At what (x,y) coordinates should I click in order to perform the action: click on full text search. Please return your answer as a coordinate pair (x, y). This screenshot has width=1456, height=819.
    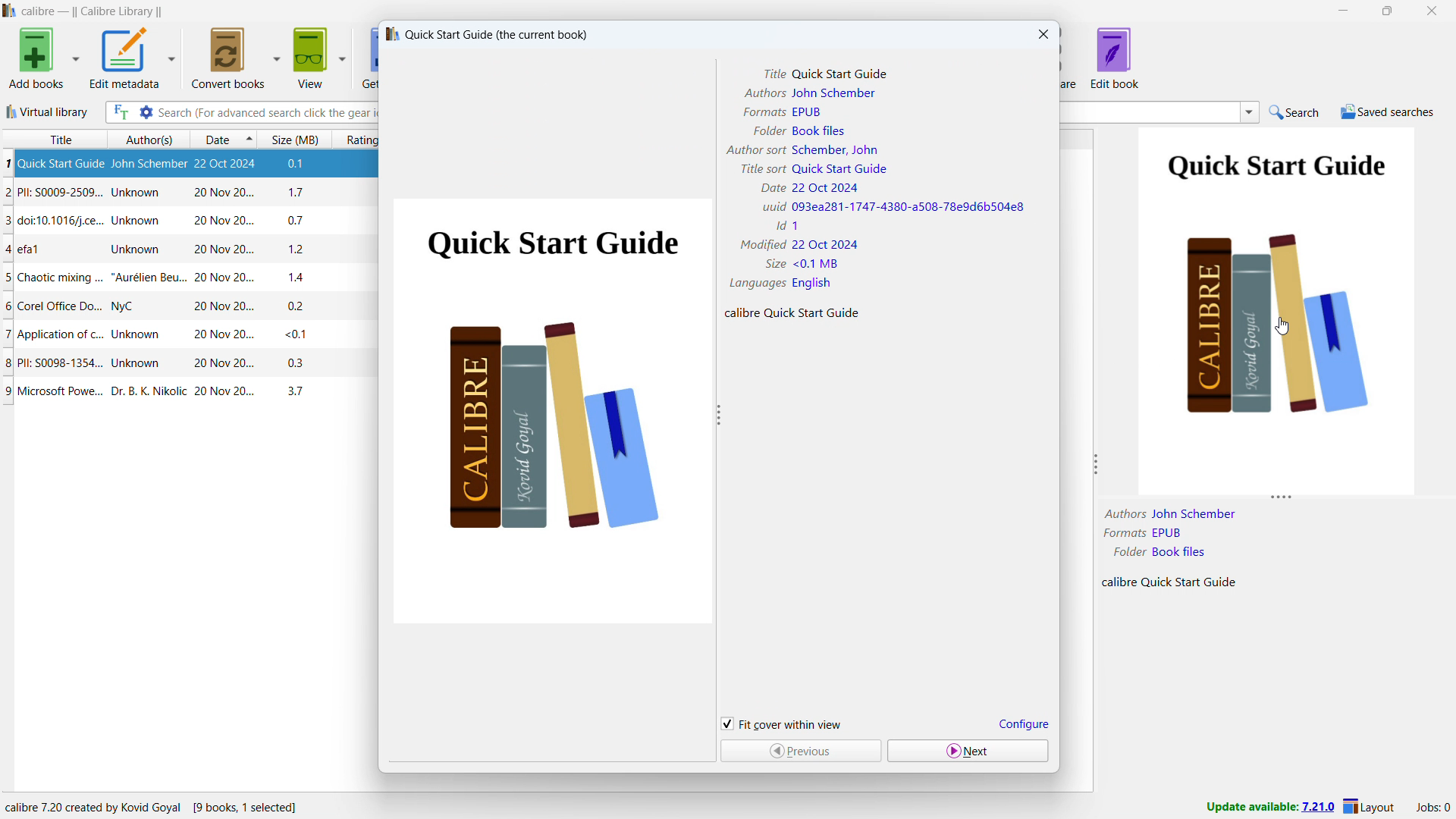
    Looking at the image, I should click on (119, 113).